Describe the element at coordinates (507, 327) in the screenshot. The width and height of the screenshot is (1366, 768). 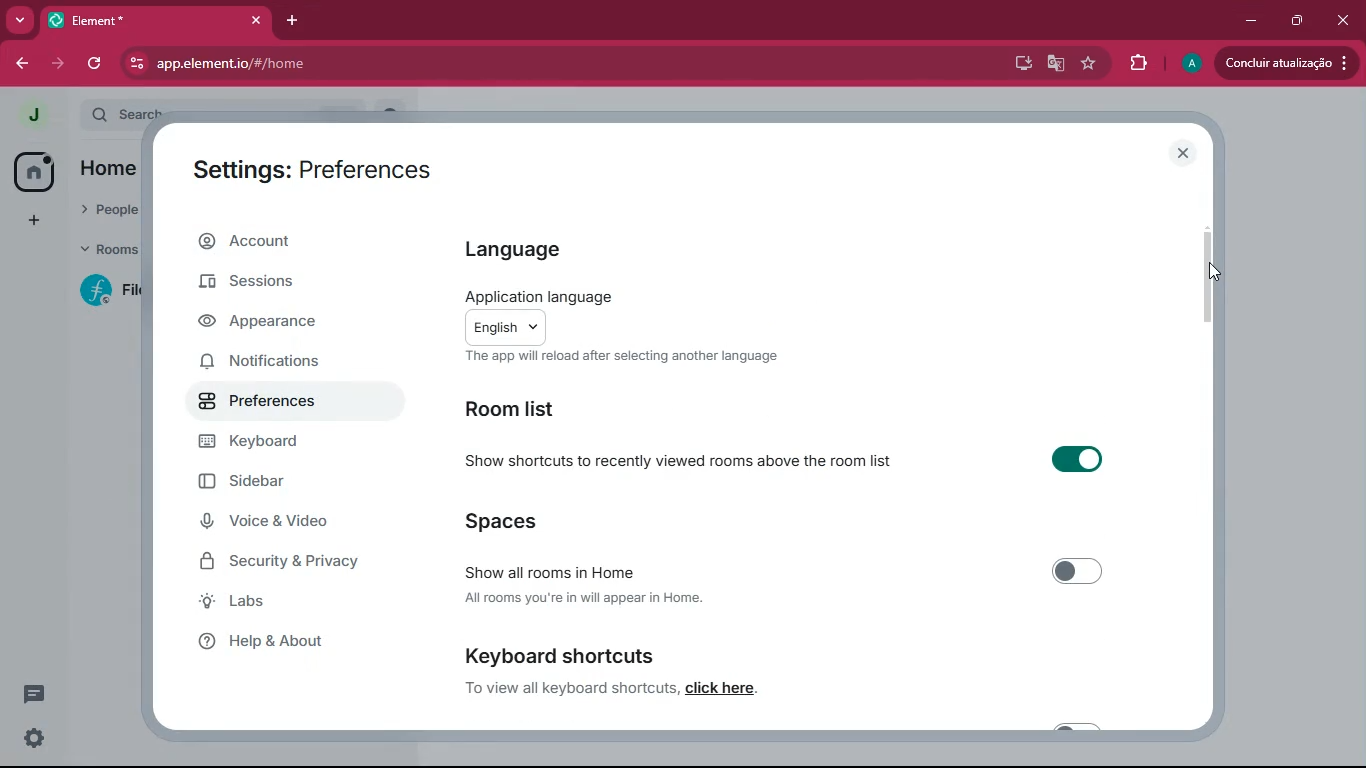
I see `english` at that location.